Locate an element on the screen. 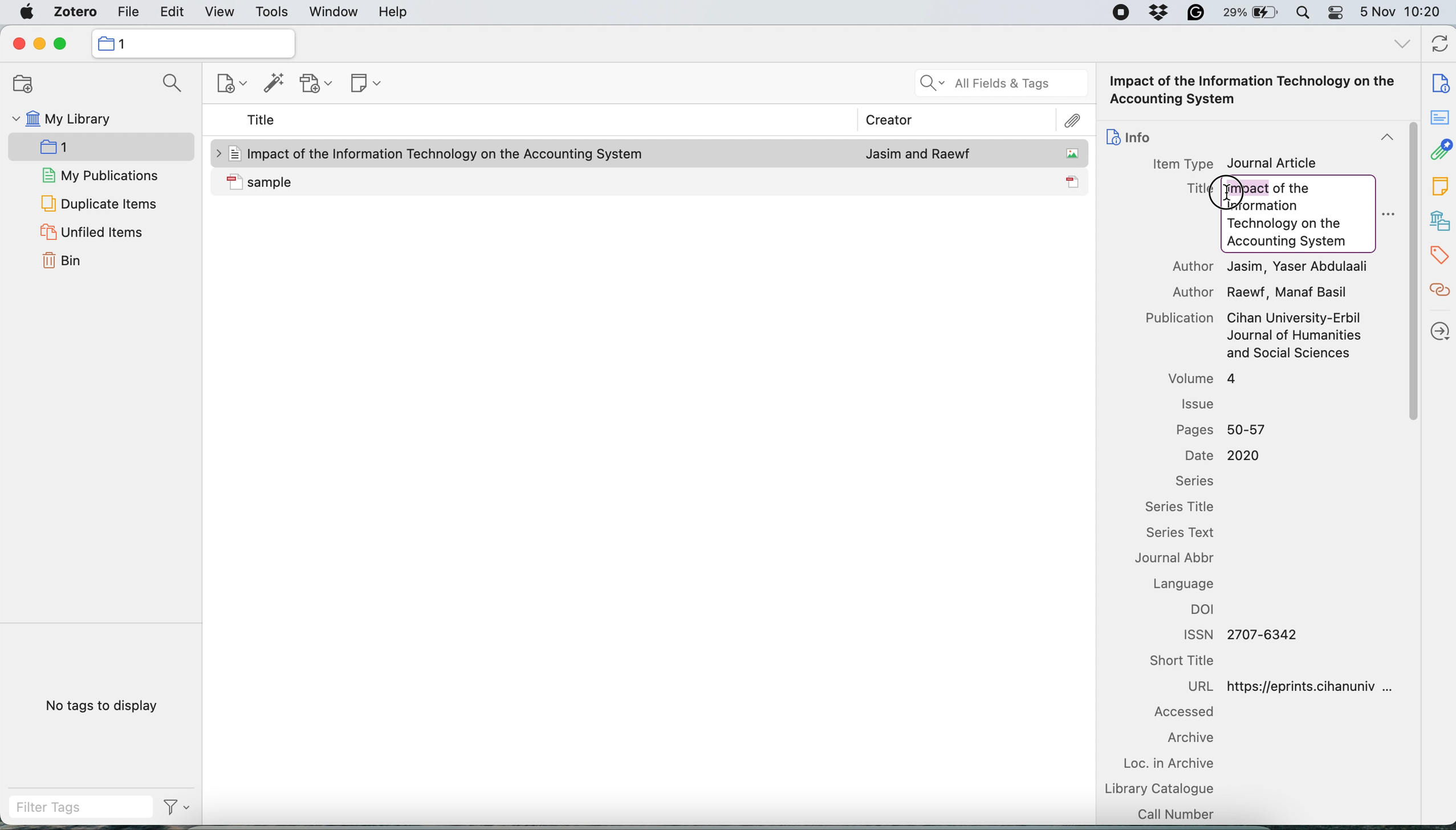 Image resolution: width=1456 pixels, height=830 pixels. Cihan University-Erbil Journal of Humanities and Social Sciences is located at coordinates (1296, 336).